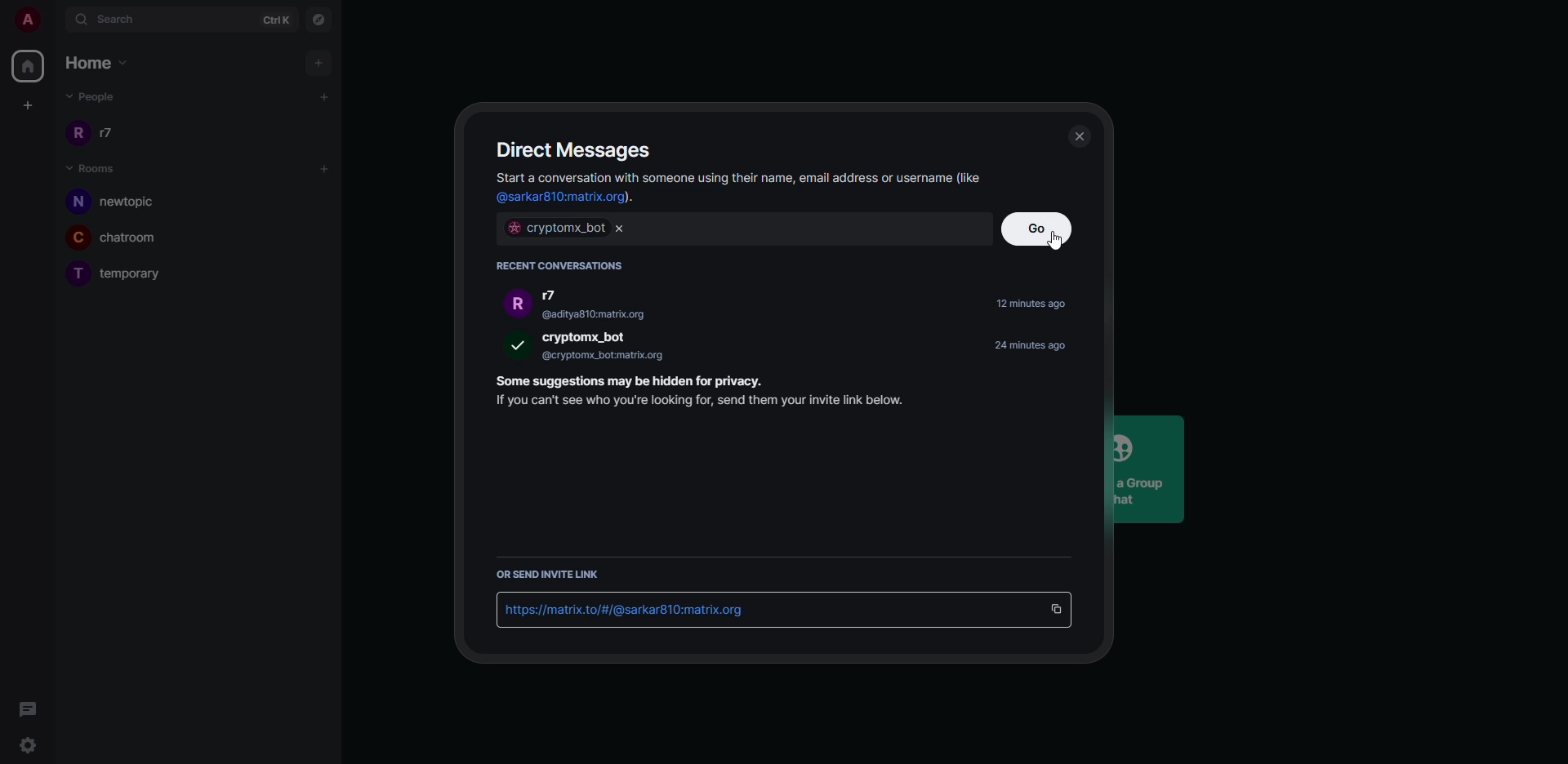 Image resolution: width=1568 pixels, height=764 pixels. I want to click on cursor, so click(1063, 245).